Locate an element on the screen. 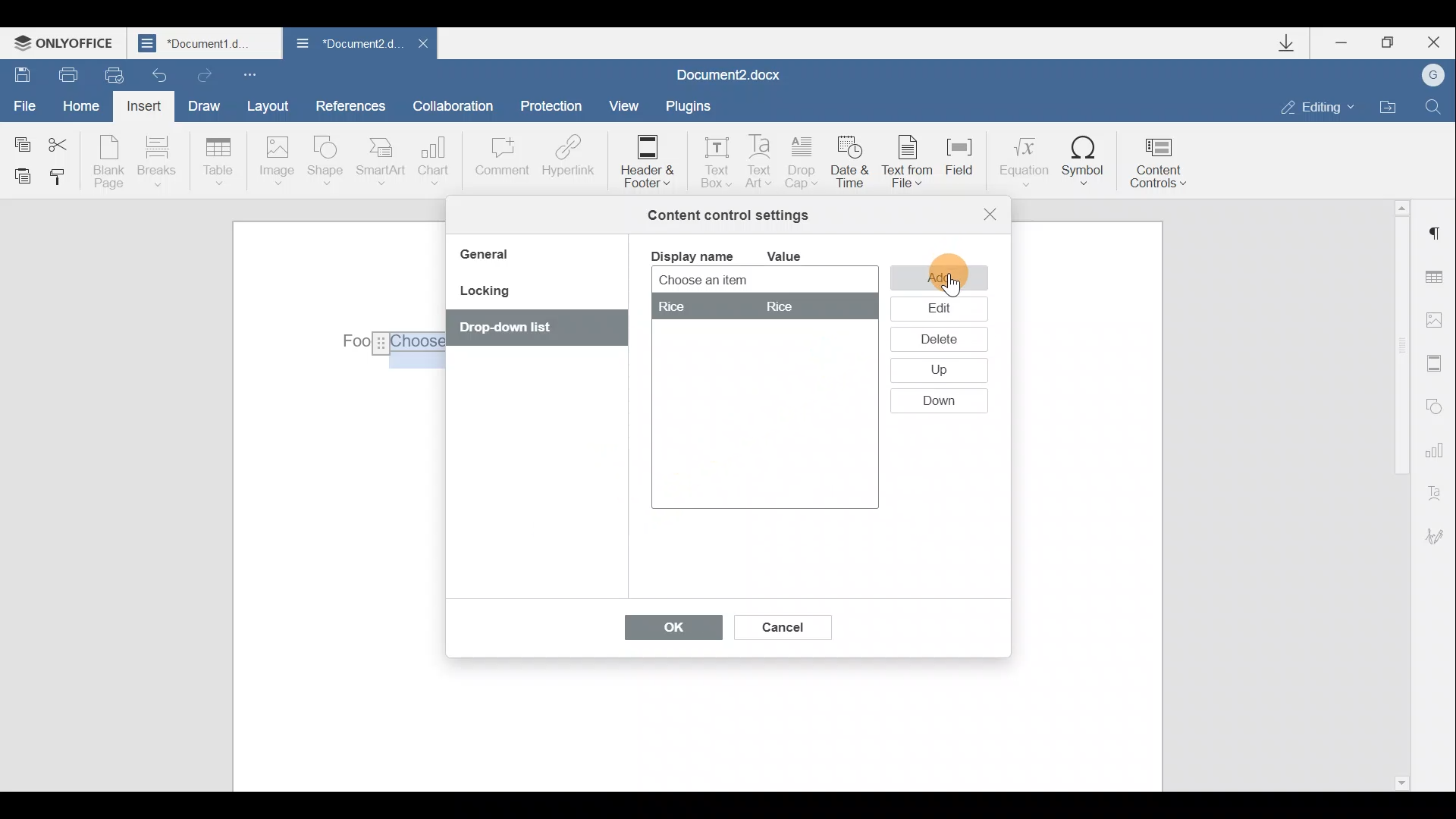  Text box is located at coordinates (711, 158).